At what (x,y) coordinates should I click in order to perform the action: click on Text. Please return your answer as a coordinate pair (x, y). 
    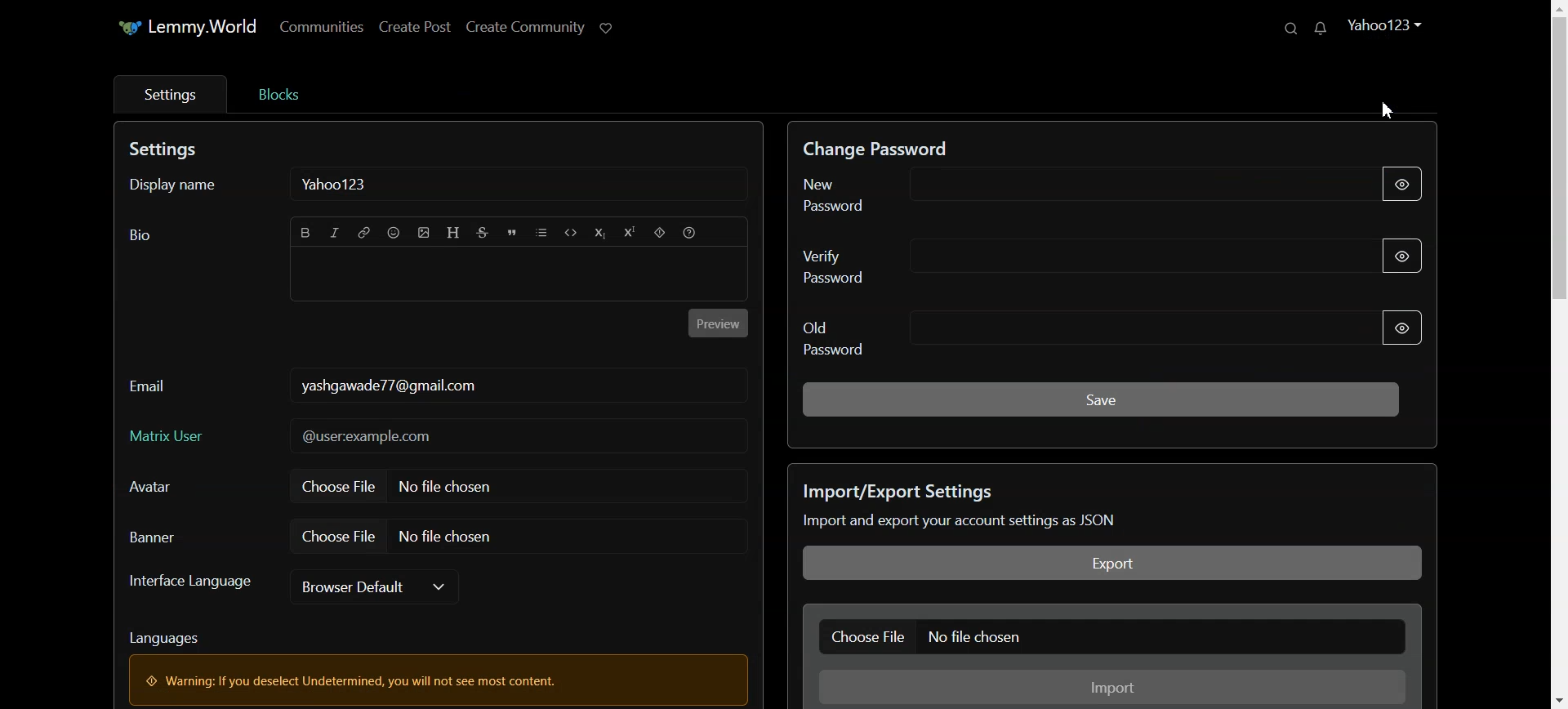
    Looking at the image, I should click on (965, 504).